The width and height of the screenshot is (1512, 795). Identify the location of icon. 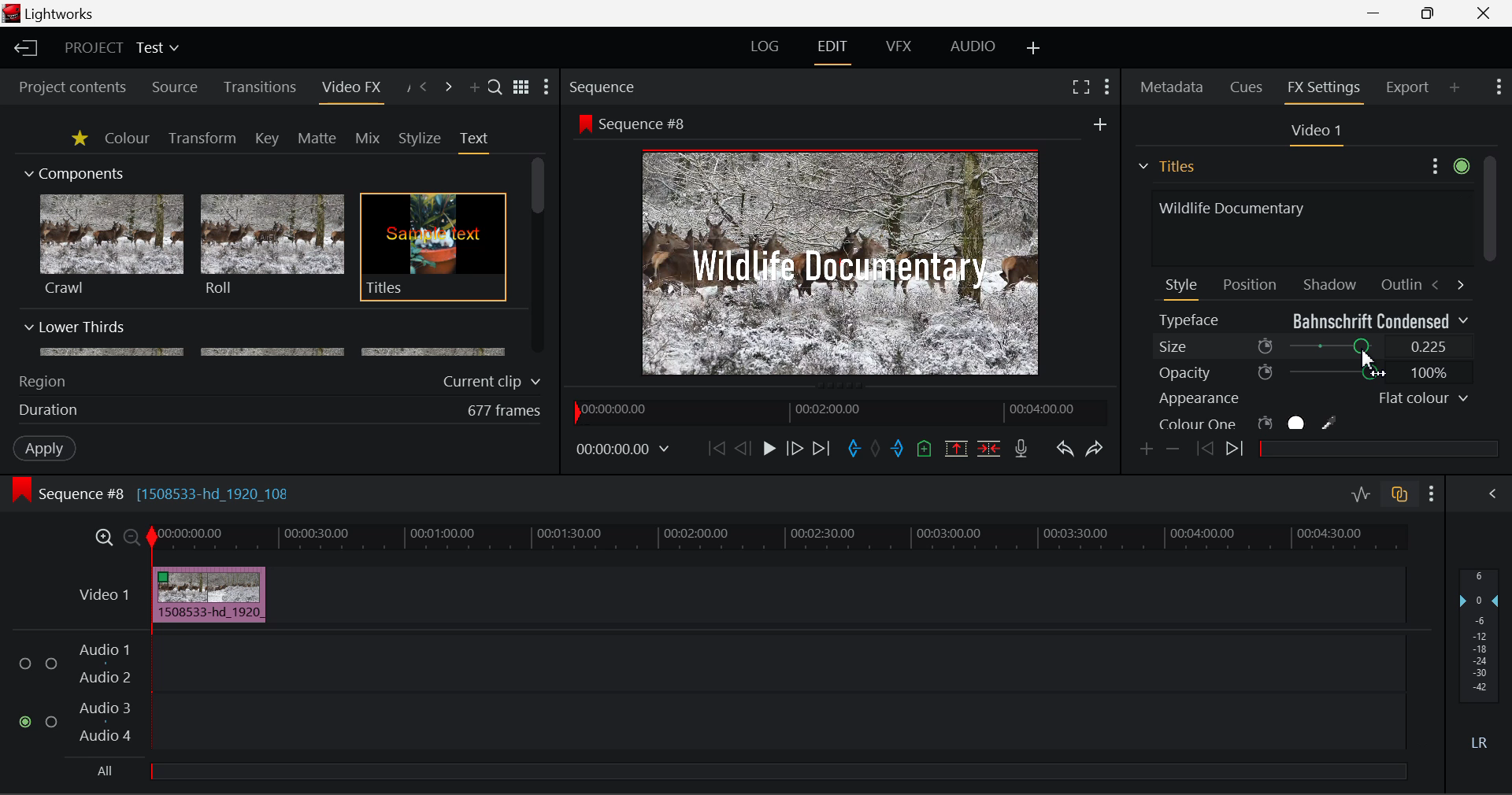
(20, 490).